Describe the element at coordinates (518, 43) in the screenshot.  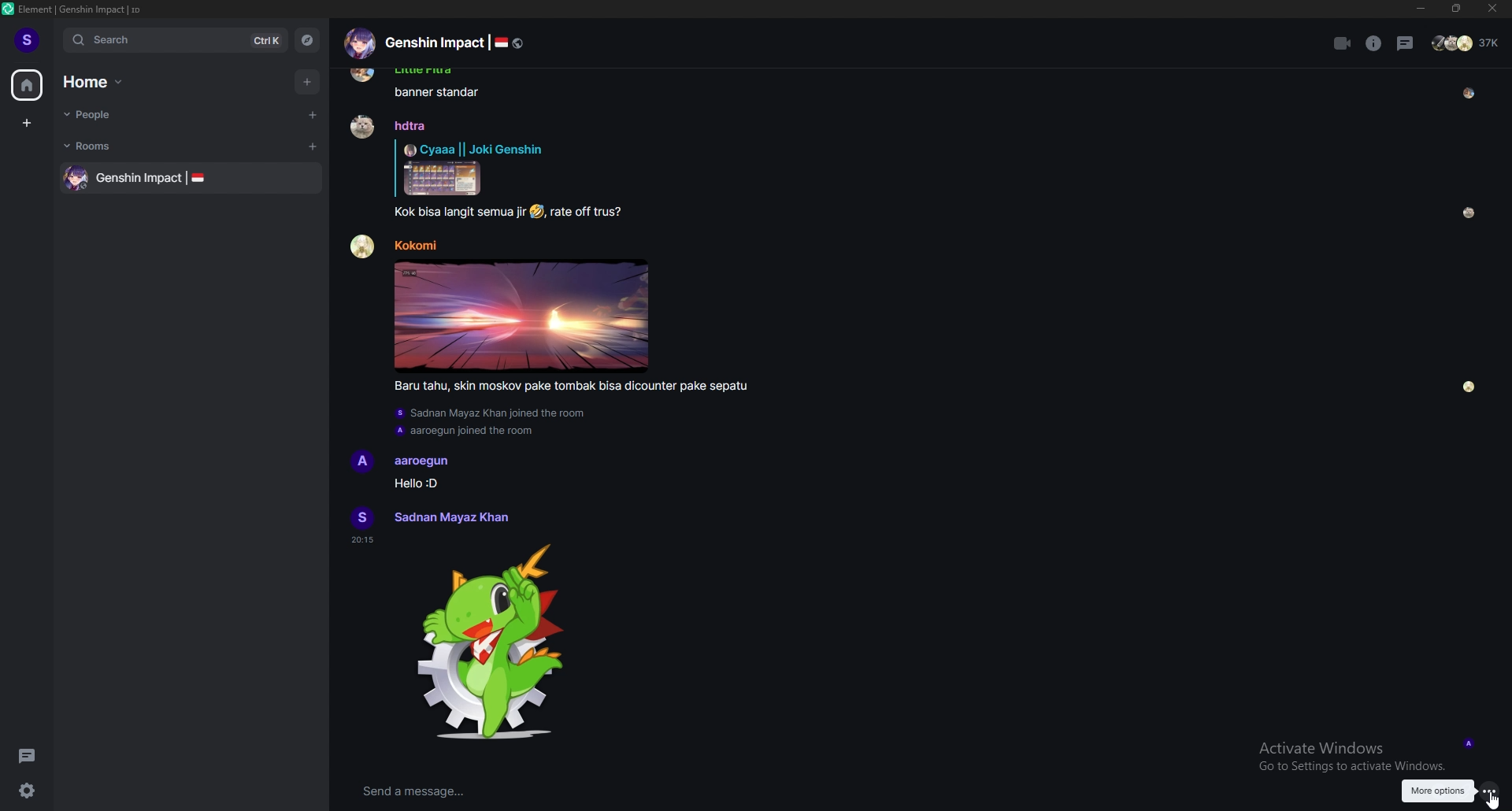
I see `Indicates group is public` at that location.